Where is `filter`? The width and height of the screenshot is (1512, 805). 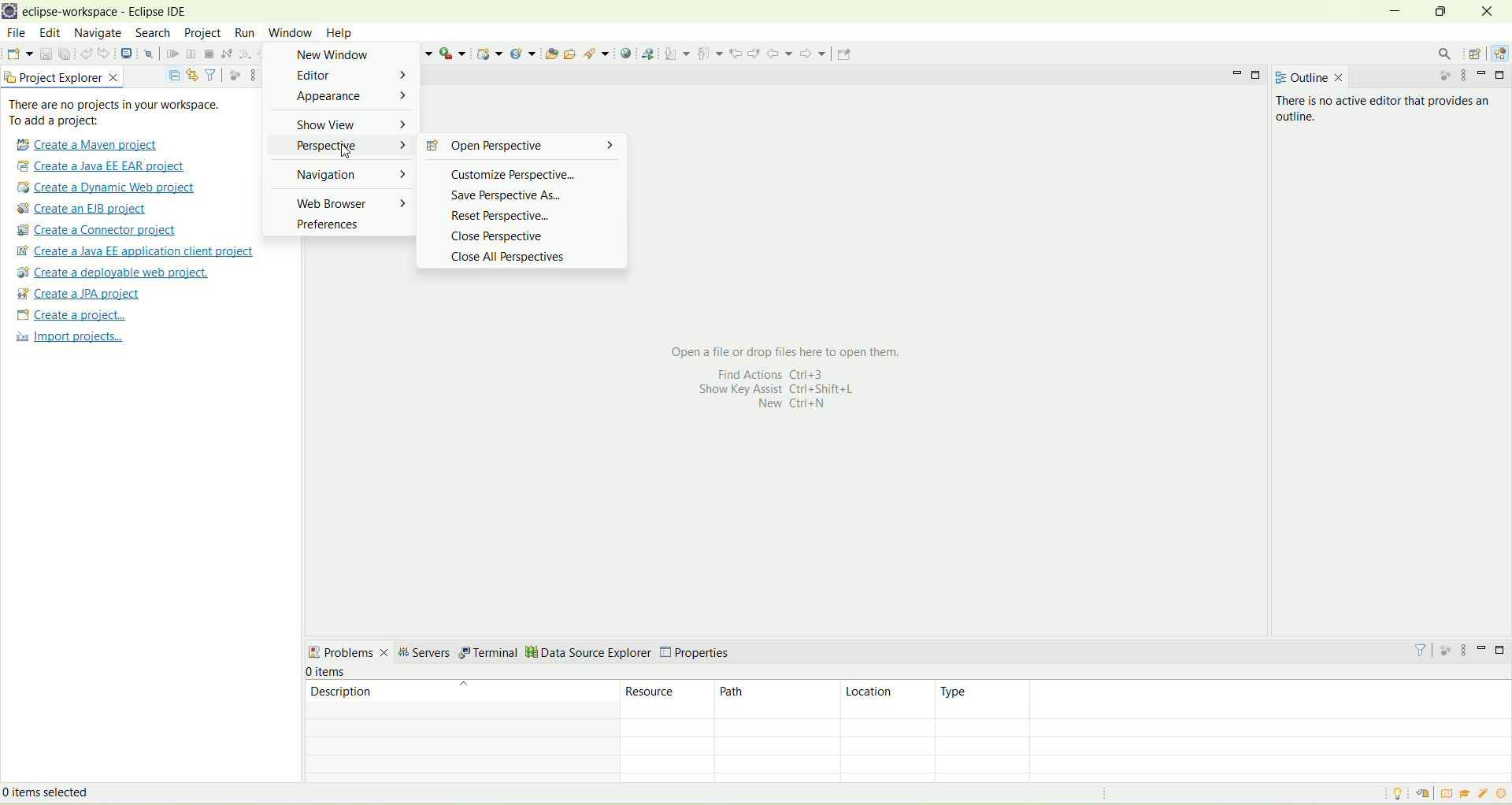 filter is located at coordinates (1421, 649).